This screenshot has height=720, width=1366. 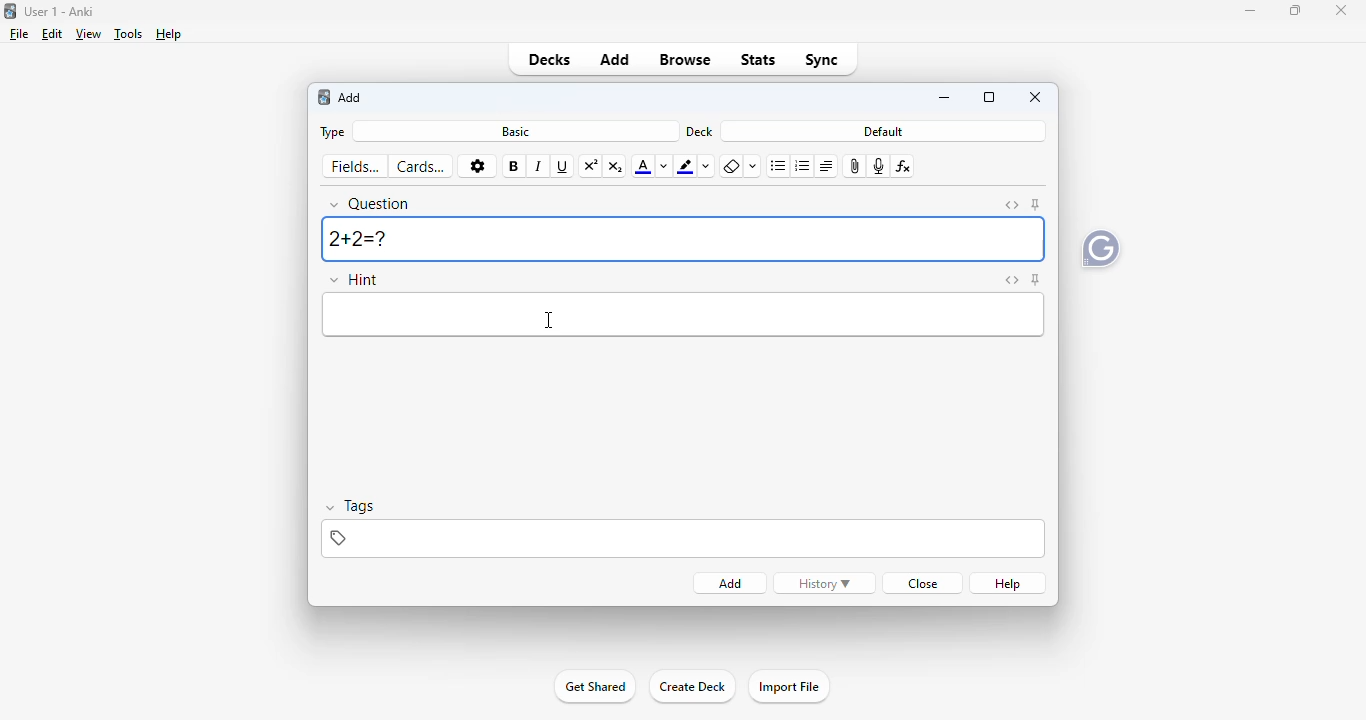 I want to click on cursor, so click(x=551, y=321).